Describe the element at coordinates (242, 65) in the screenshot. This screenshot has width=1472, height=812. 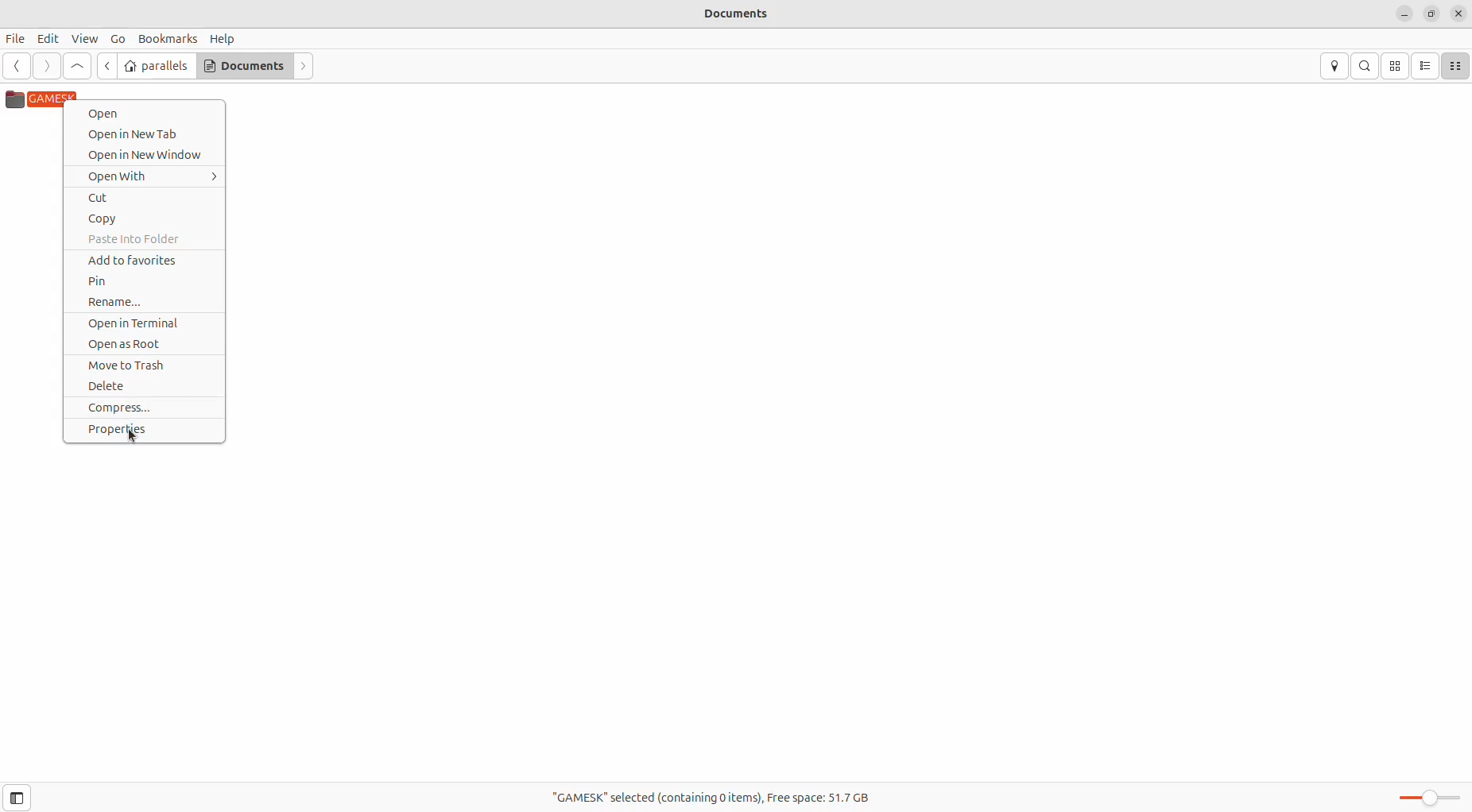
I see `Documents` at that location.